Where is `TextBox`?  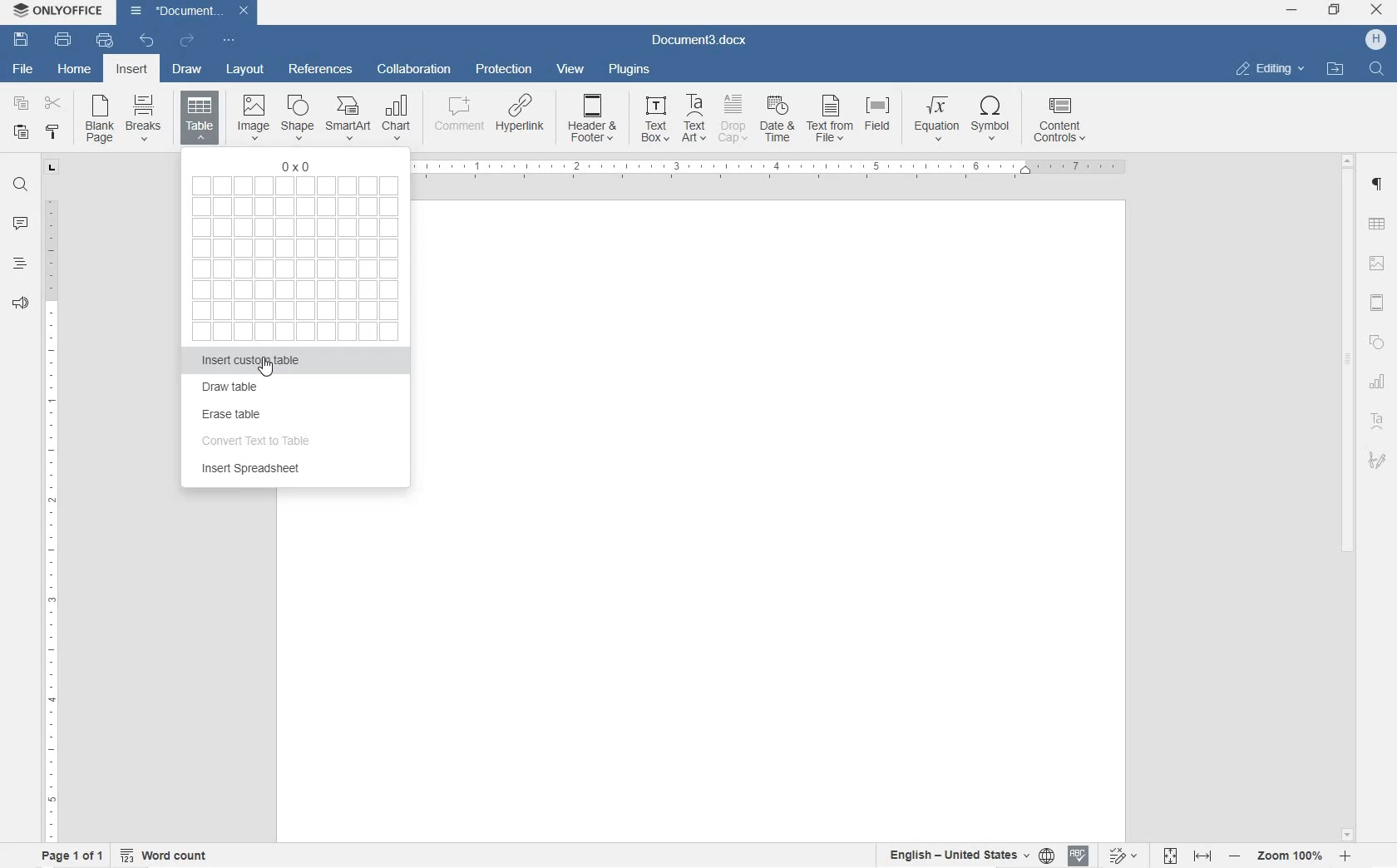 TextBox is located at coordinates (650, 119).